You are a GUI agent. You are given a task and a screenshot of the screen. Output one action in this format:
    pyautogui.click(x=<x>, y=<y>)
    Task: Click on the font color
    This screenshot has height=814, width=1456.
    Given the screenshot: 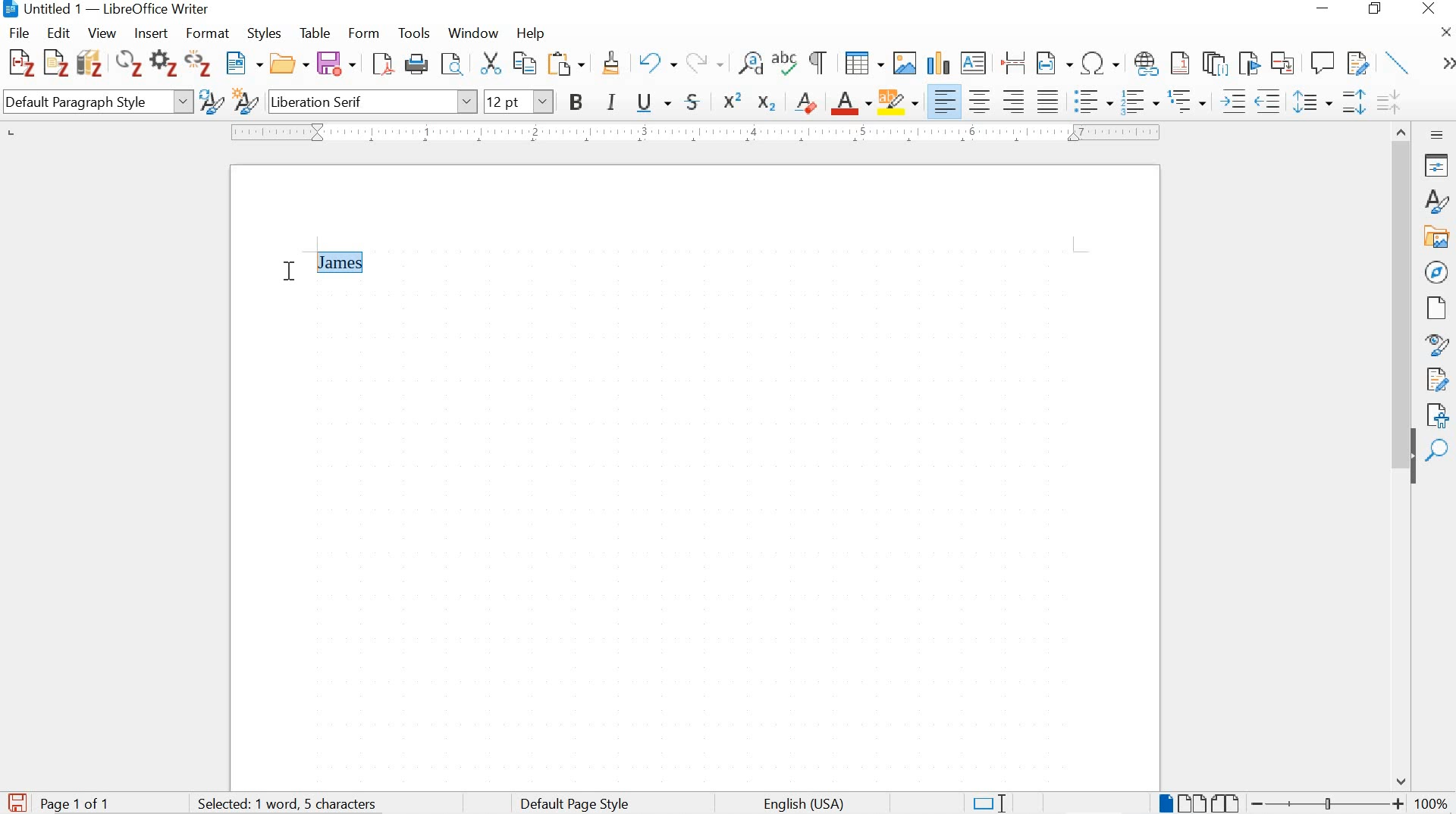 What is the action you would take?
    pyautogui.click(x=852, y=104)
    